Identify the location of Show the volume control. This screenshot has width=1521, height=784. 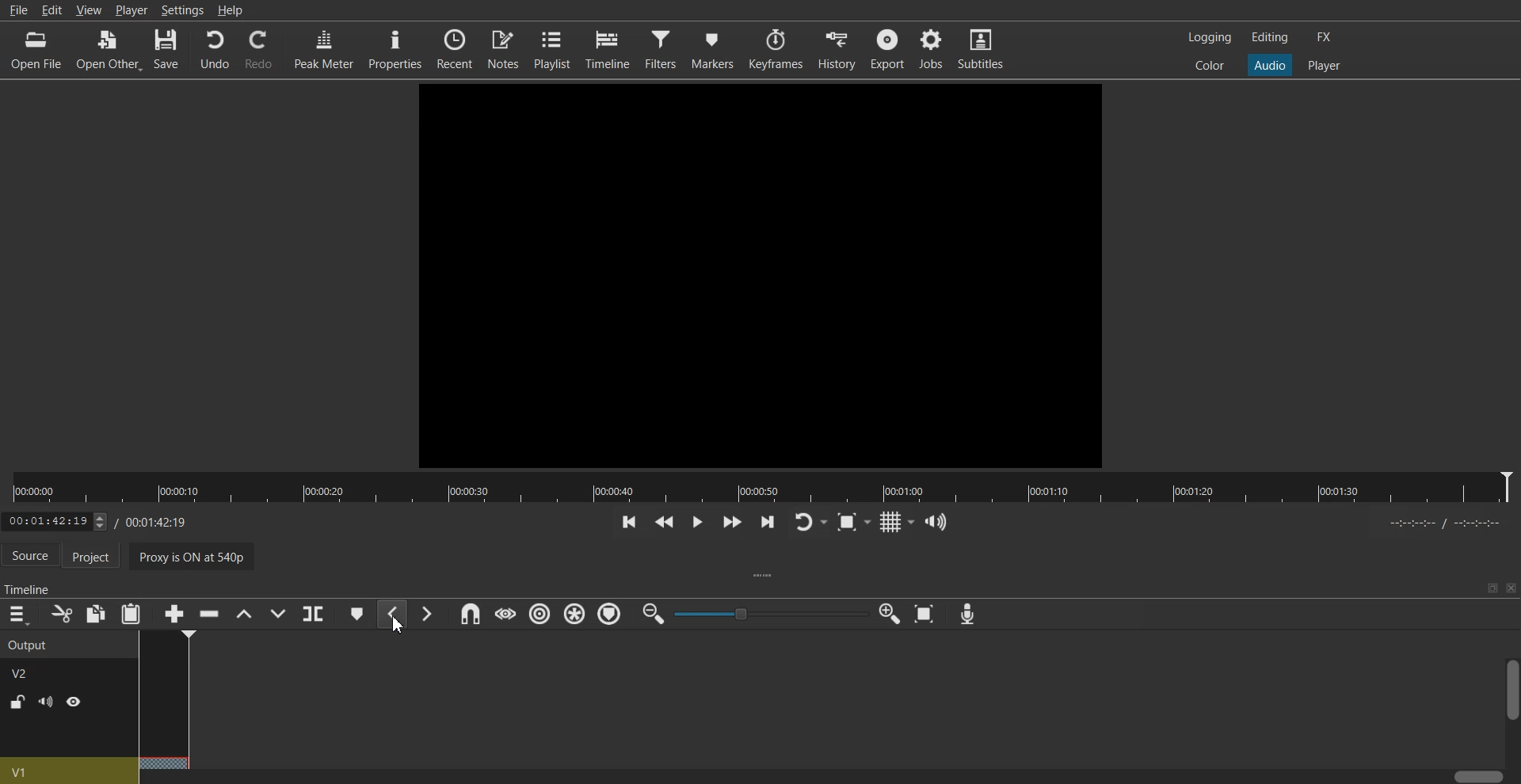
(936, 521).